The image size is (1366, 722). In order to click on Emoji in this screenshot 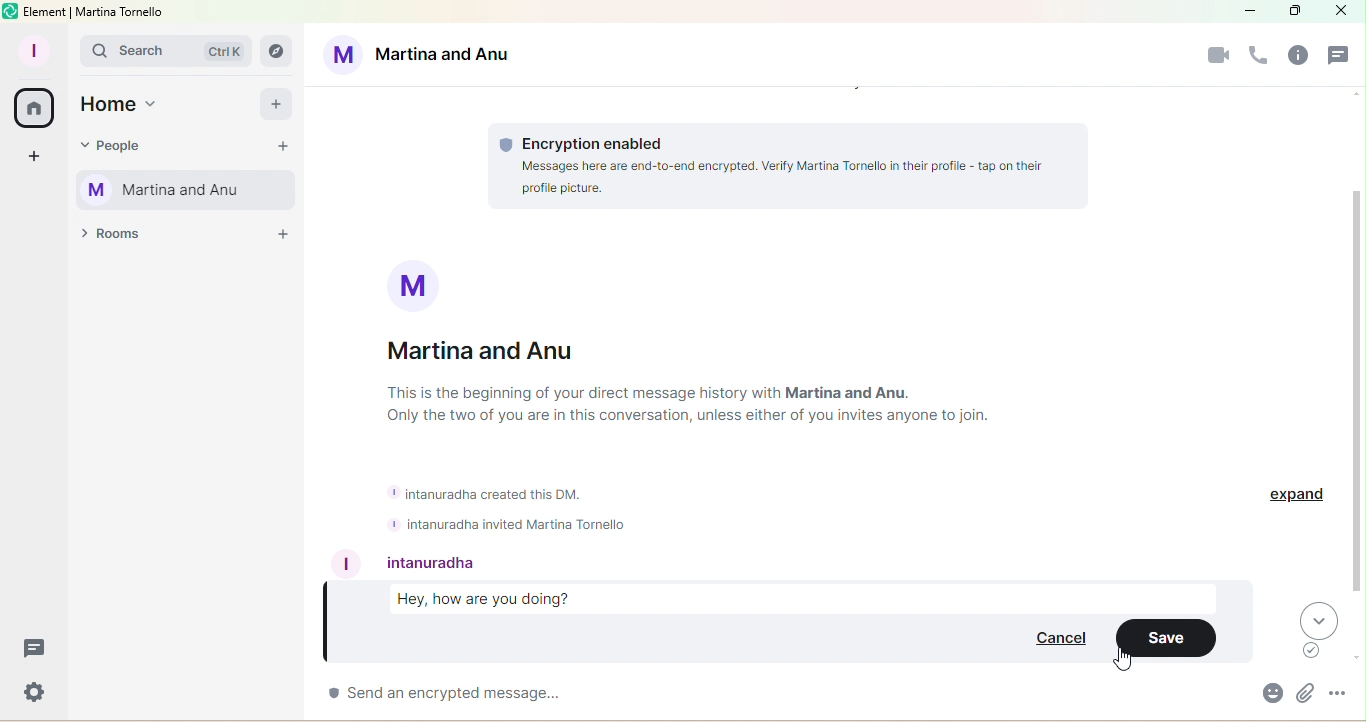, I will do `click(1270, 697)`.